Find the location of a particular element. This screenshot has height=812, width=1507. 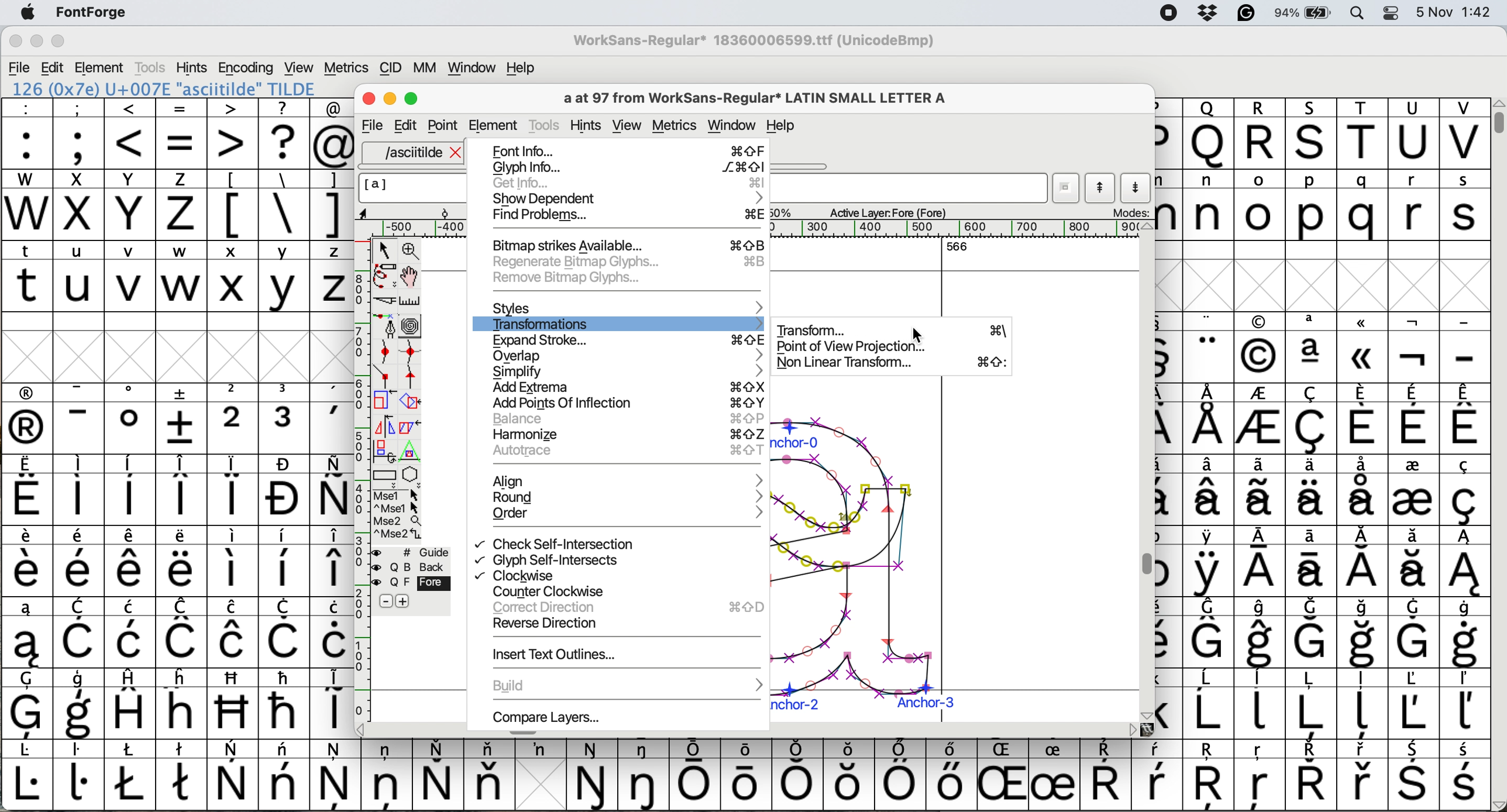

symbol is located at coordinates (285, 775).